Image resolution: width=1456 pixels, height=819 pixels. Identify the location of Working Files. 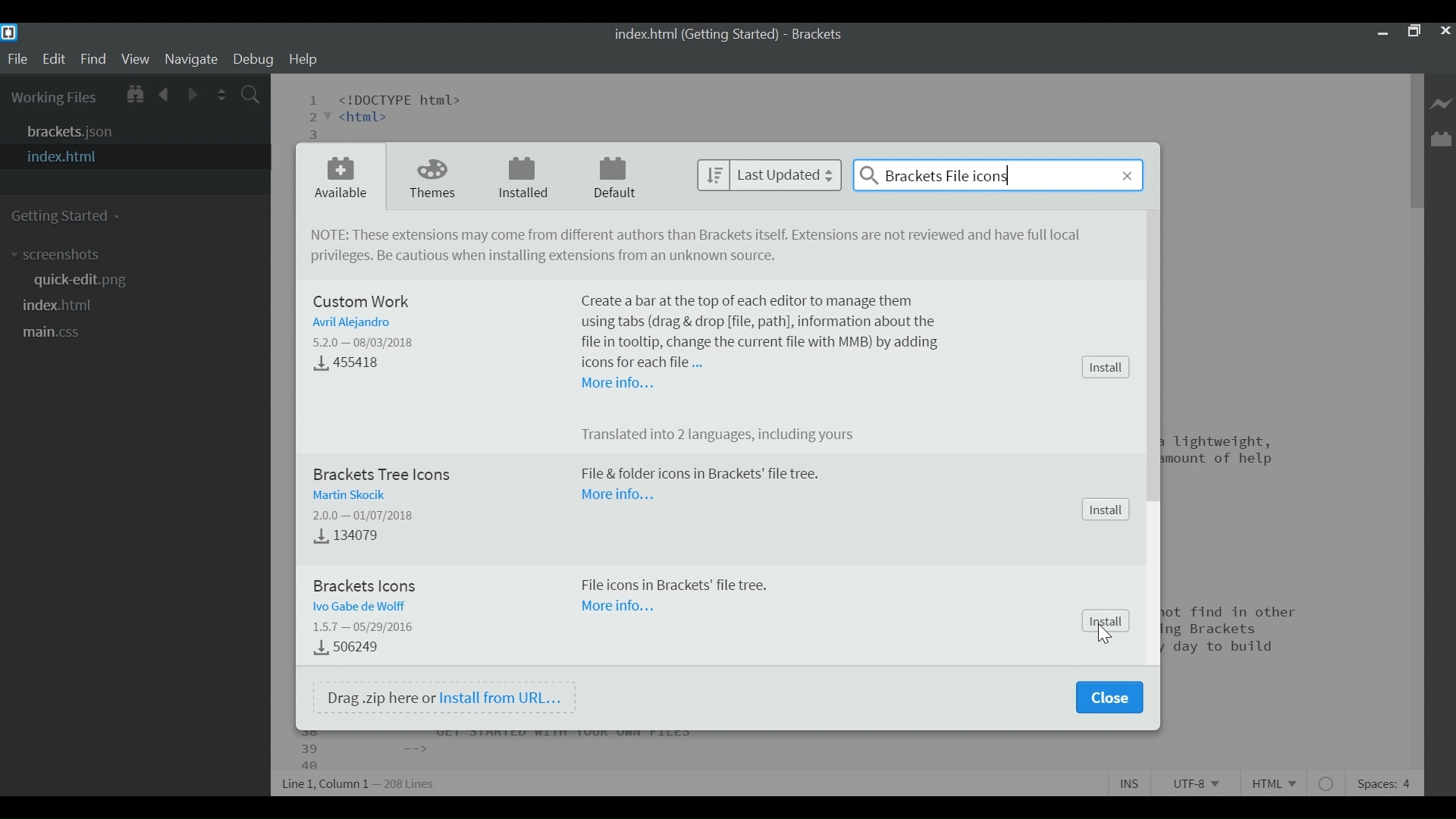
(54, 96).